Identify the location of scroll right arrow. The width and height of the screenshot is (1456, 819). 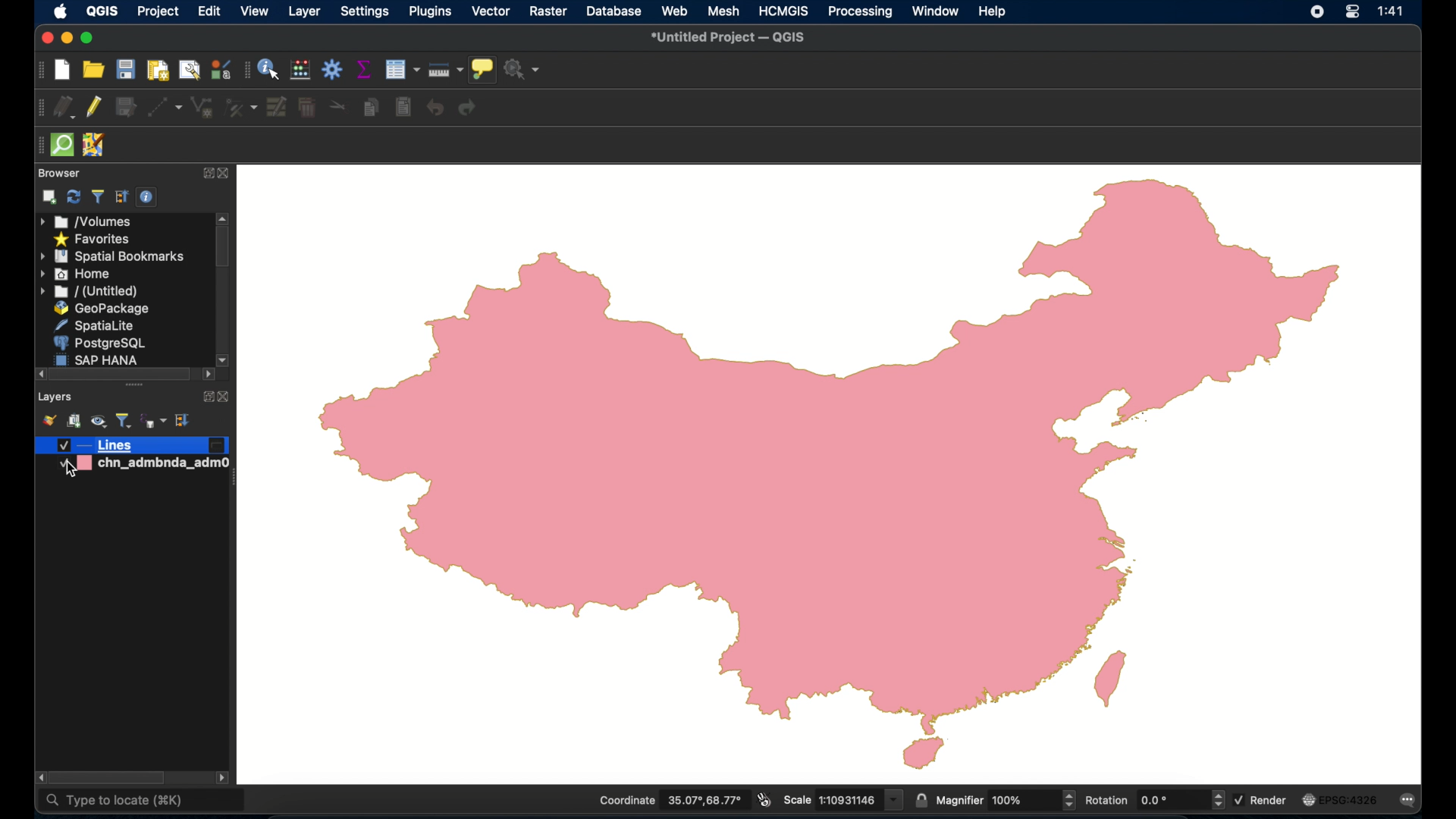
(37, 777).